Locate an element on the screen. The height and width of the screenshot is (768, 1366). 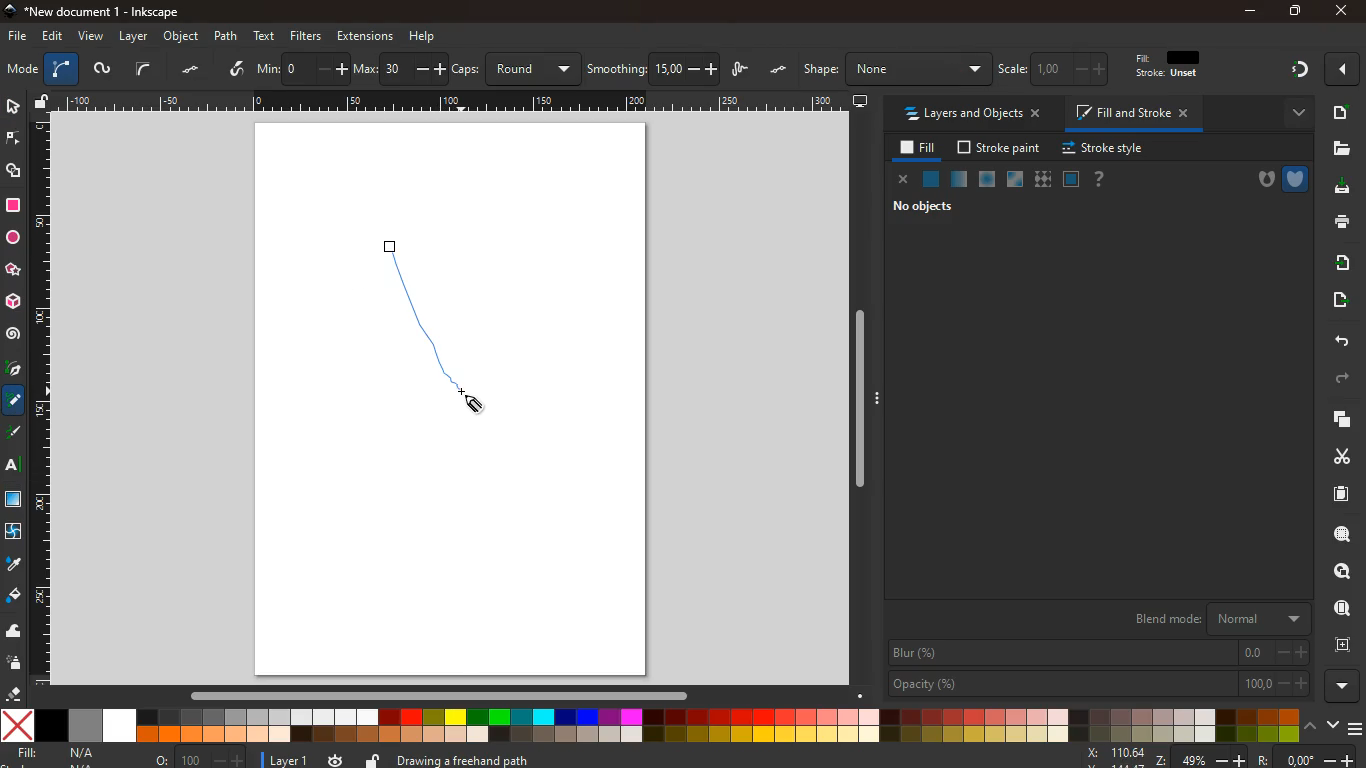
dots is located at coordinates (193, 70).